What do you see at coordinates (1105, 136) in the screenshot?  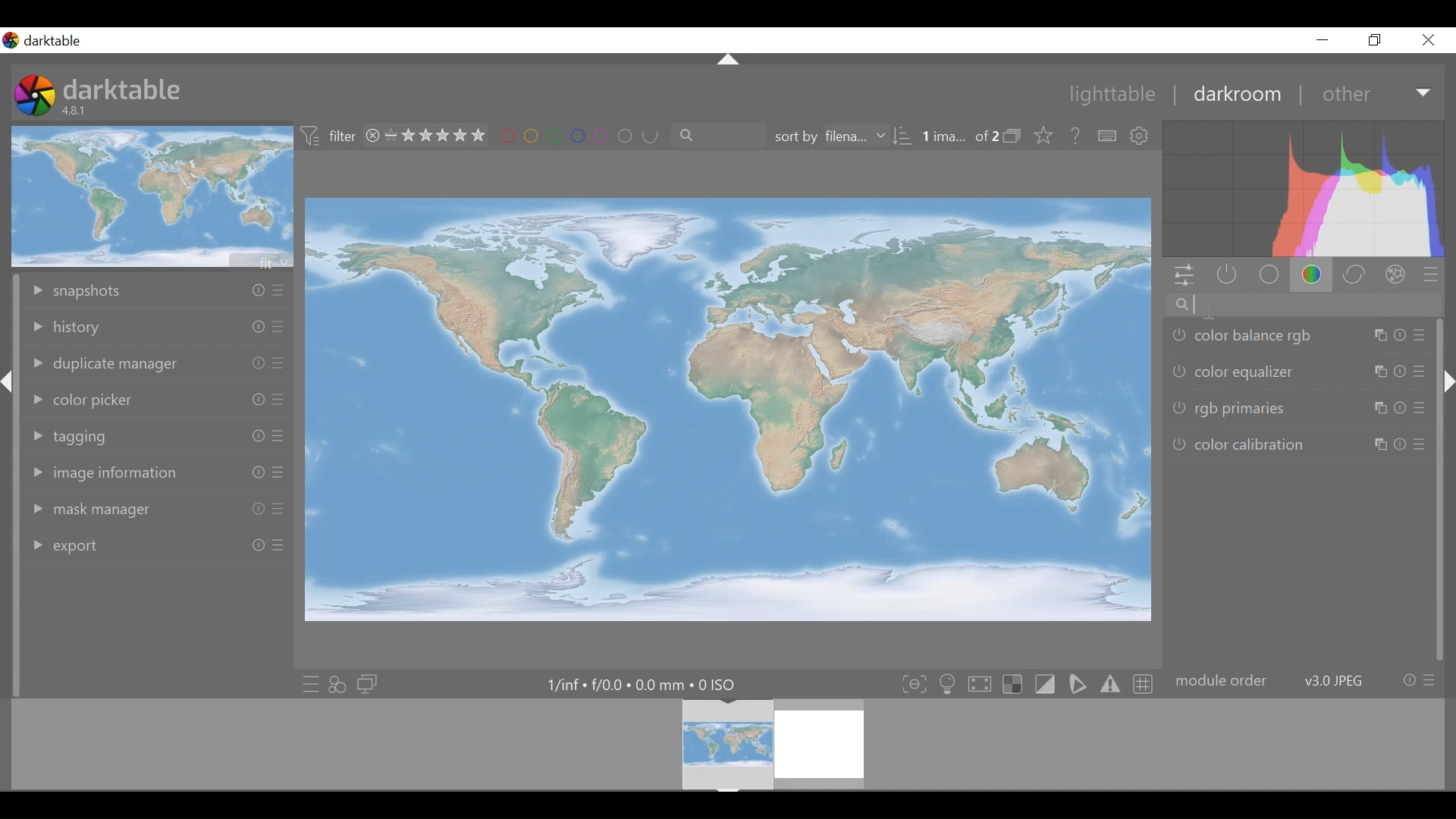 I see `define shortcut ` at bounding box center [1105, 136].